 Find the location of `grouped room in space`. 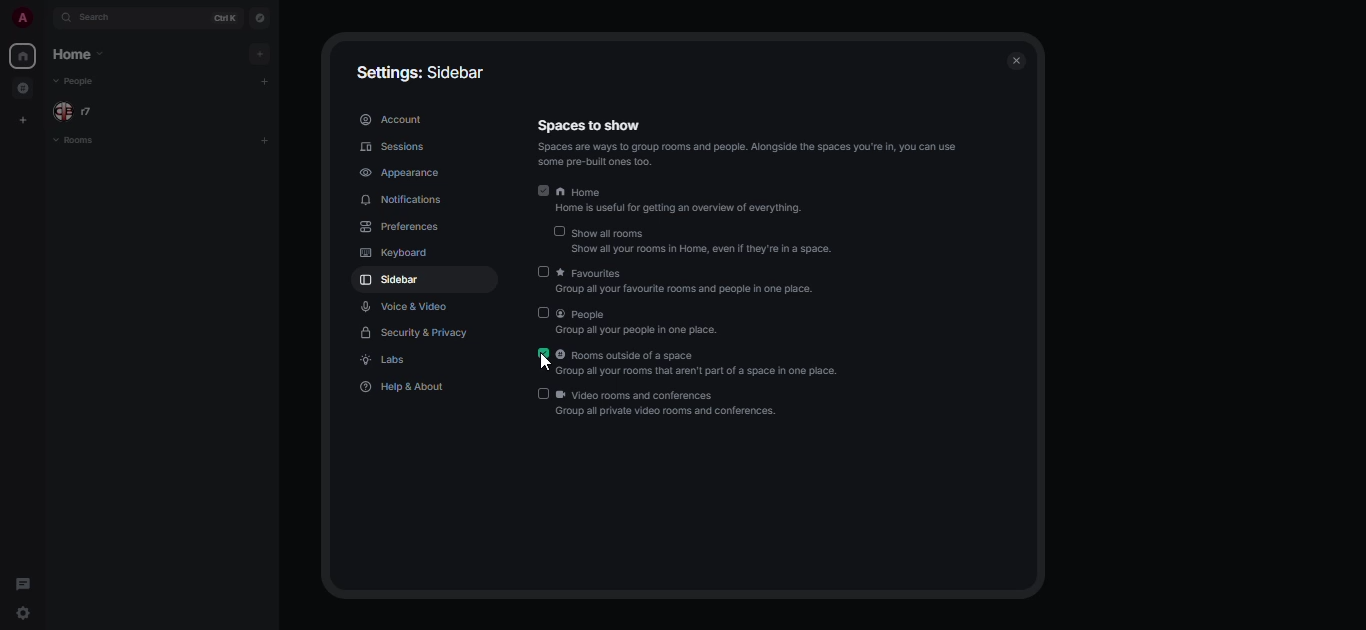

grouped room in space is located at coordinates (22, 88).